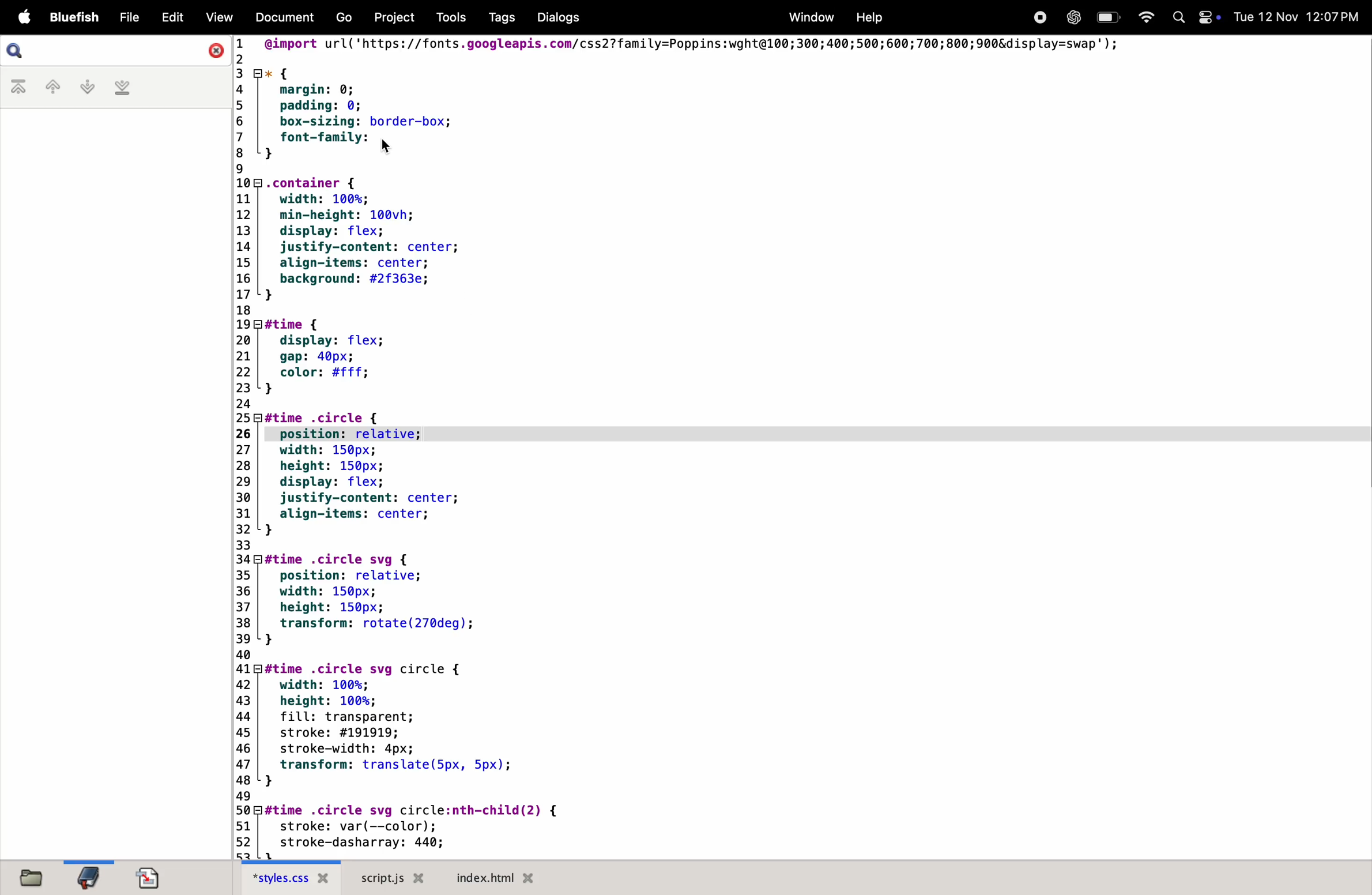  Describe the element at coordinates (492, 877) in the screenshot. I see `index.html` at that location.